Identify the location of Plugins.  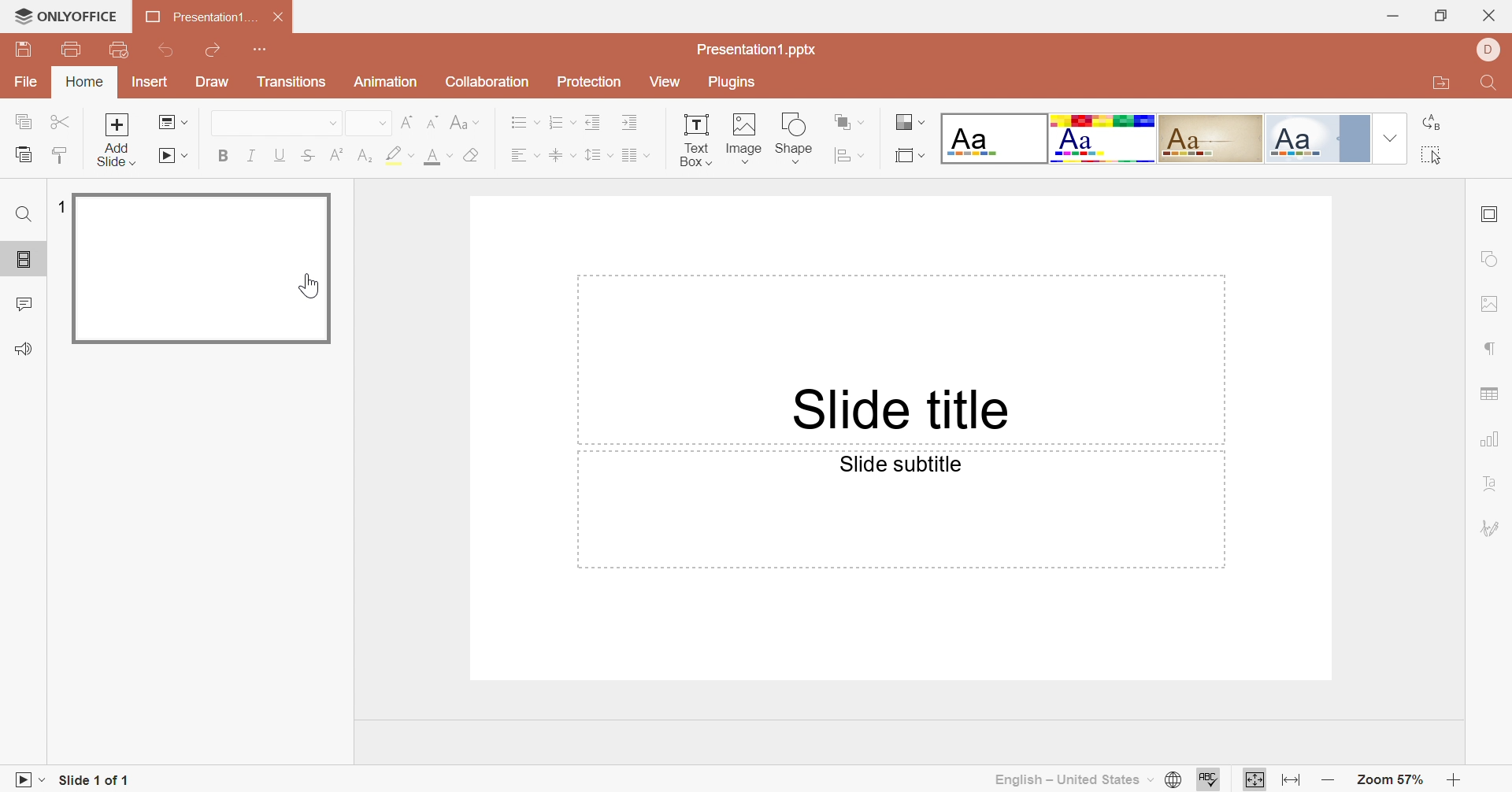
(738, 84).